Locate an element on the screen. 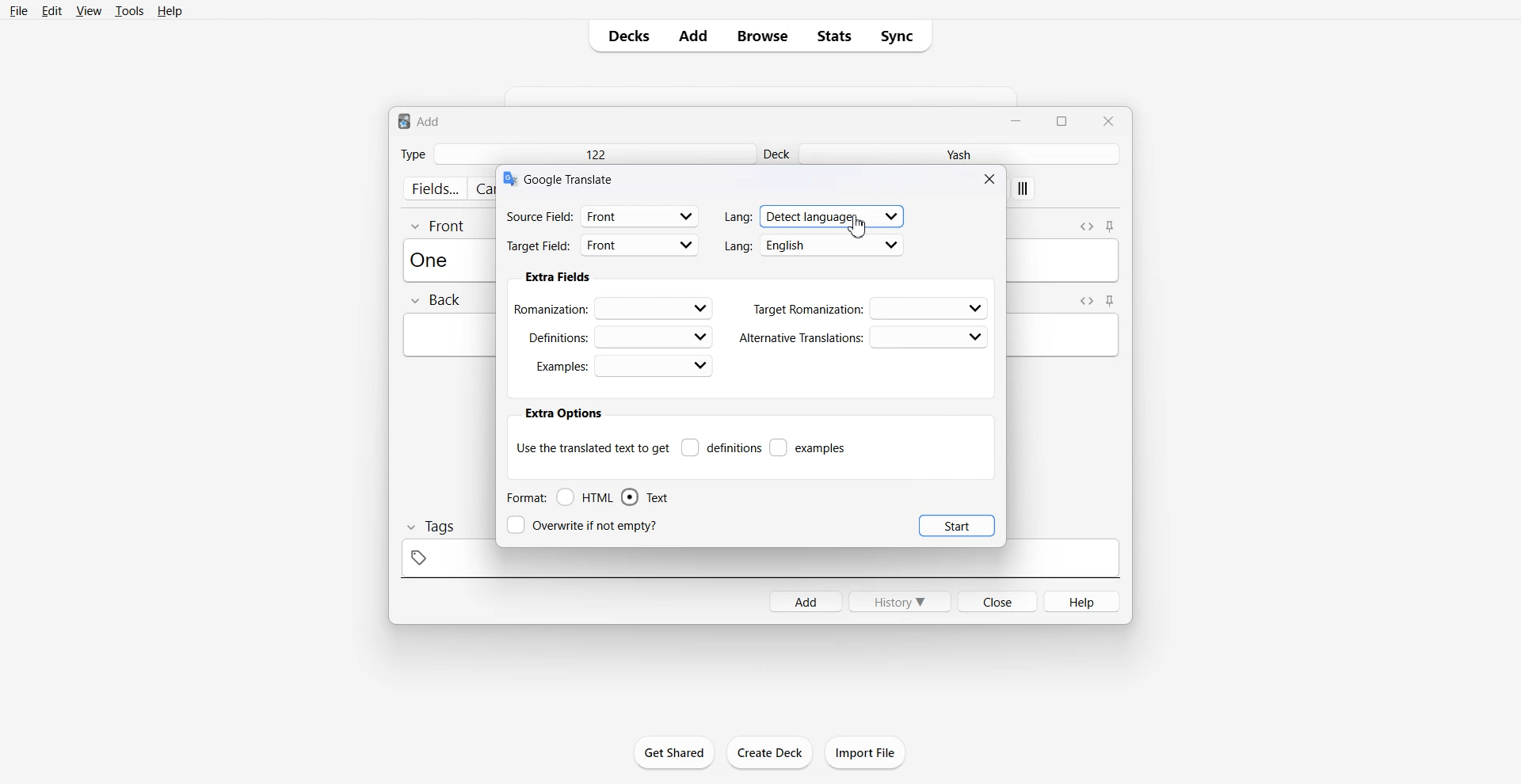 The width and height of the screenshot is (1521, 784). Minimize is located at coordinates (1018, 120).